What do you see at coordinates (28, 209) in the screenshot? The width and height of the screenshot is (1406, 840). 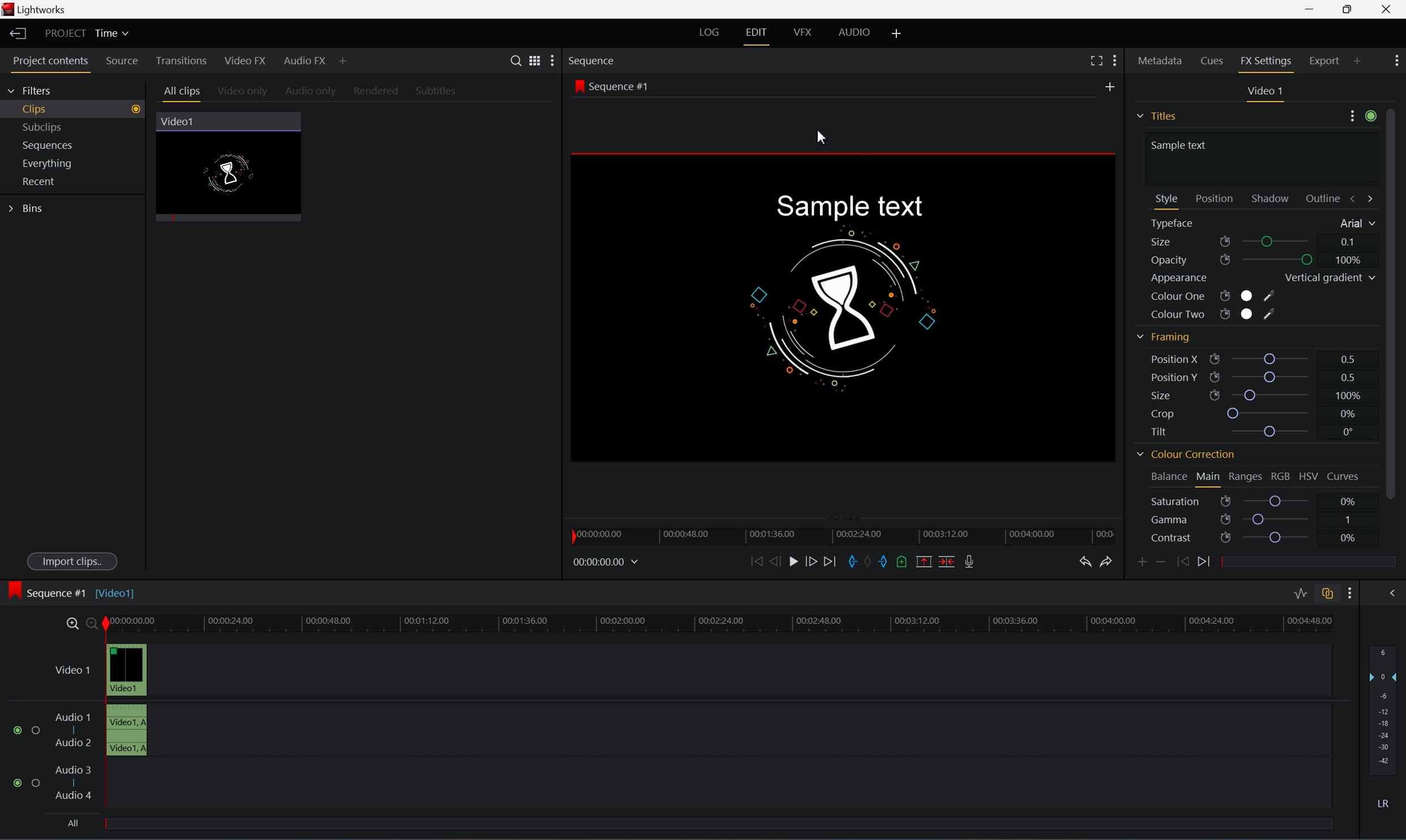 I see `Bins` at bounding box center [28, 209].